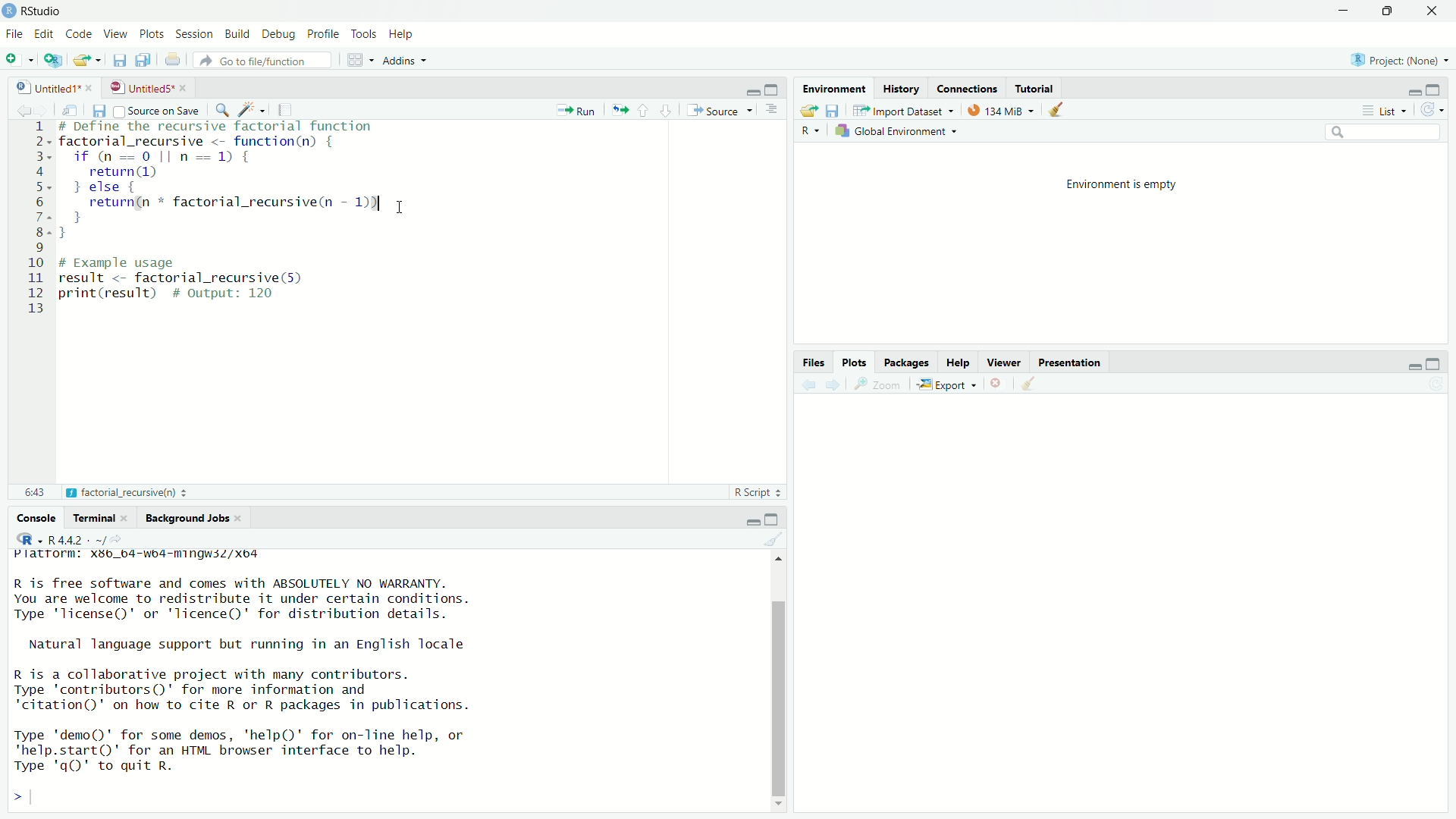 The image size is (1456, 819). I want to click on R Script, so click(756, 492).